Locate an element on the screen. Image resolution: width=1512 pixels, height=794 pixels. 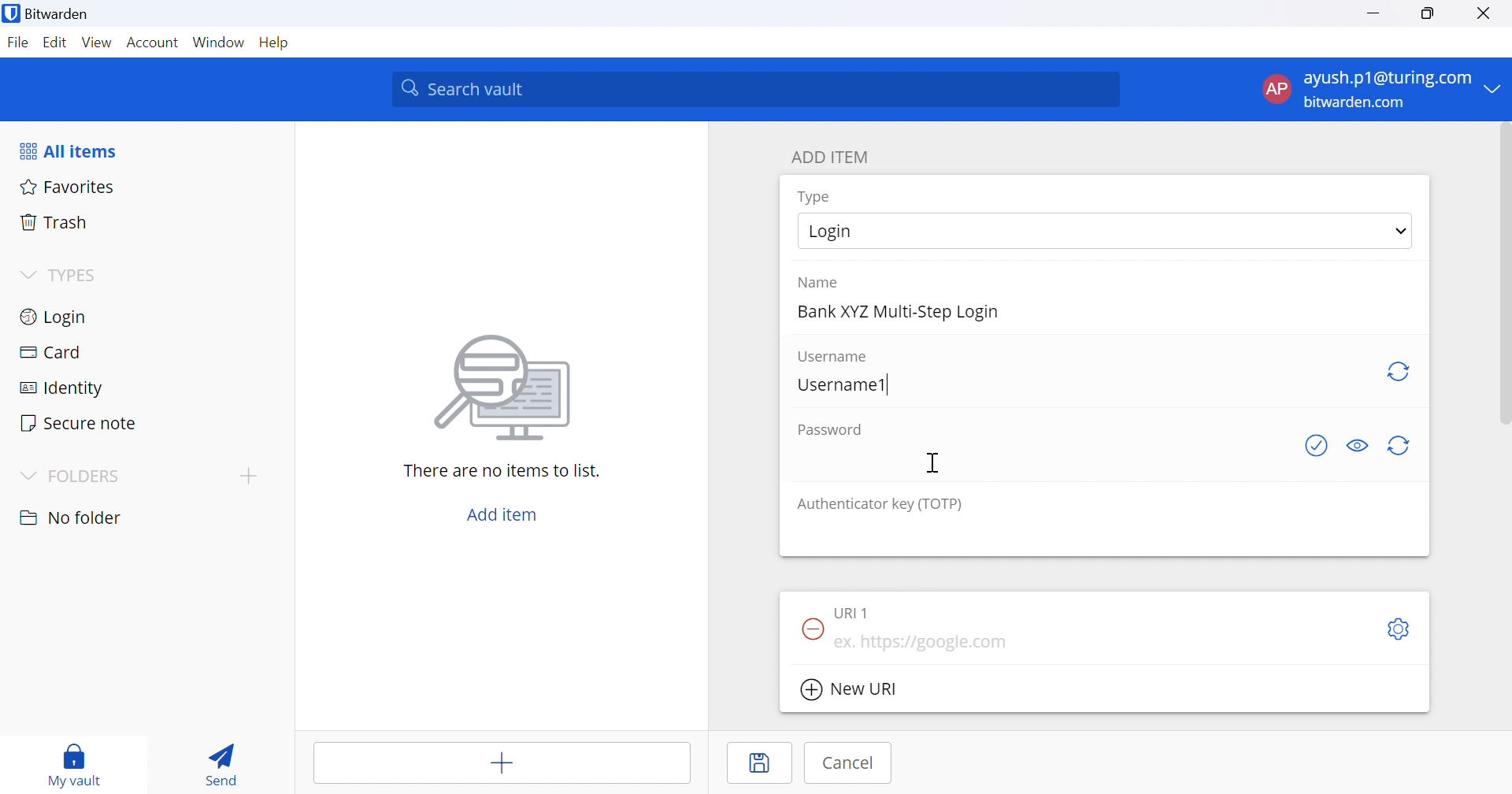
Remove is located at coordinates (810, 627).